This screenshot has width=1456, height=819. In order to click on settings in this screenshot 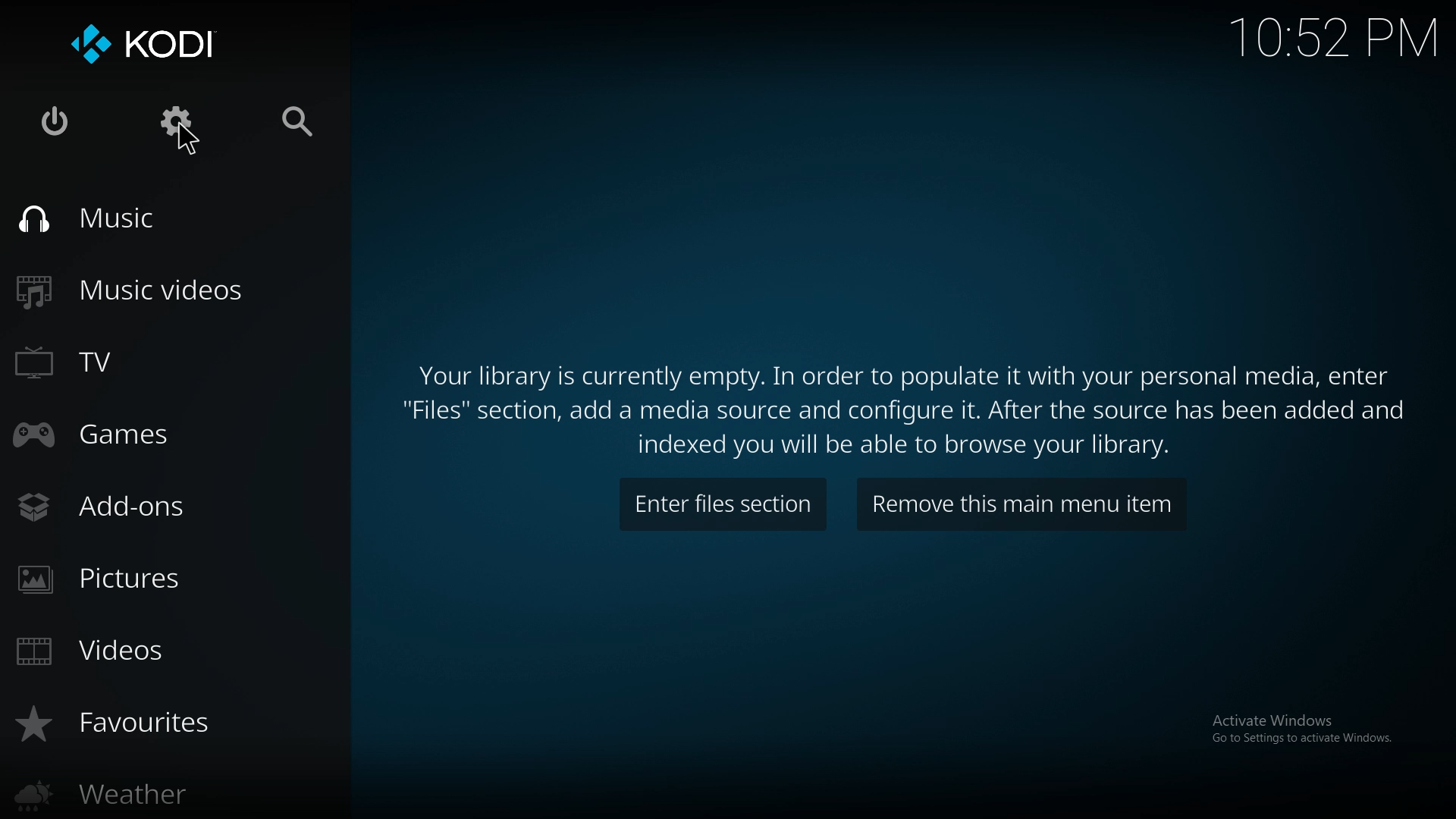, I will do `click(178, 123)`.